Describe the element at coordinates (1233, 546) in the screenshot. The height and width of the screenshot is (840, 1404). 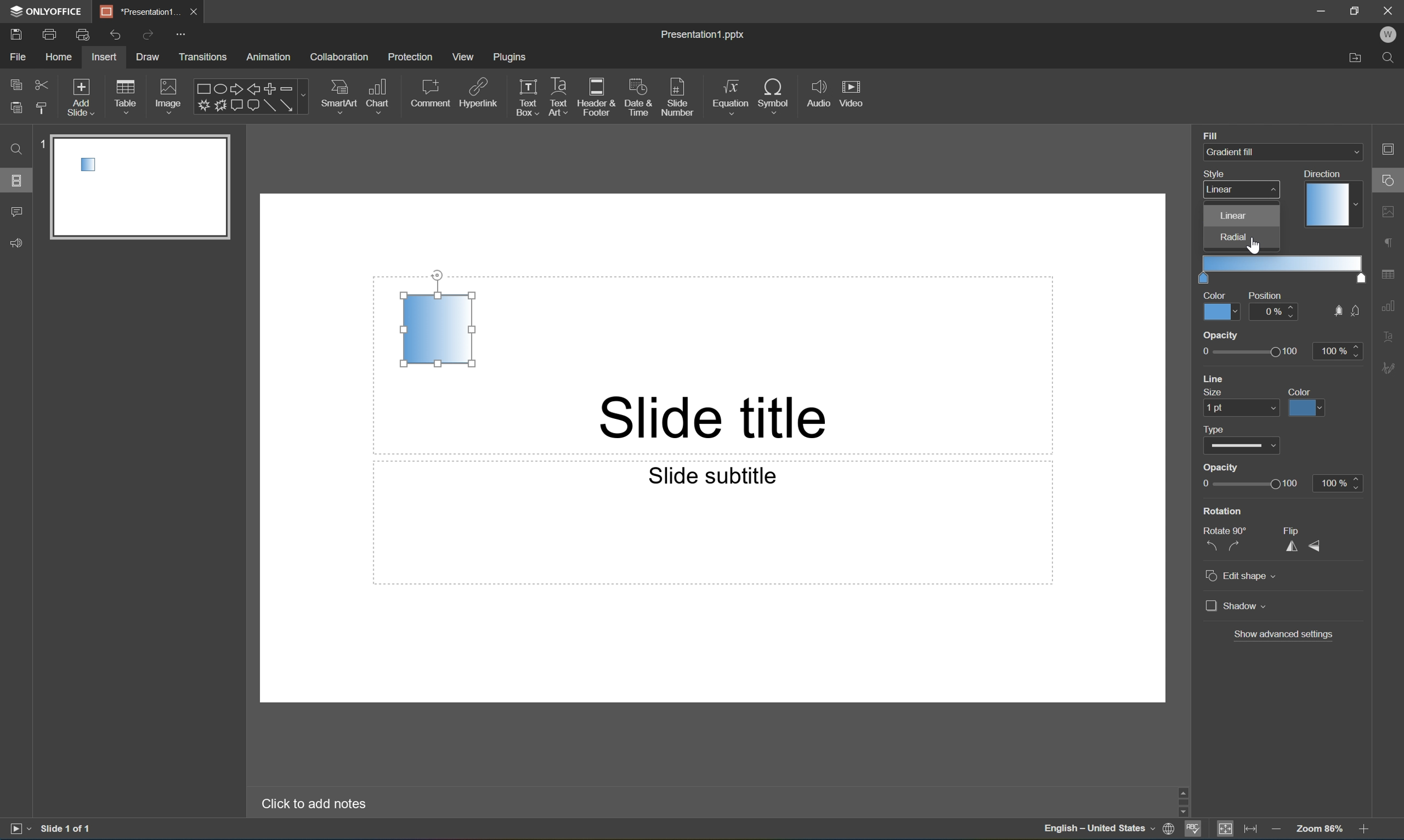
I see `Rotate 90° clockwise` at that location.